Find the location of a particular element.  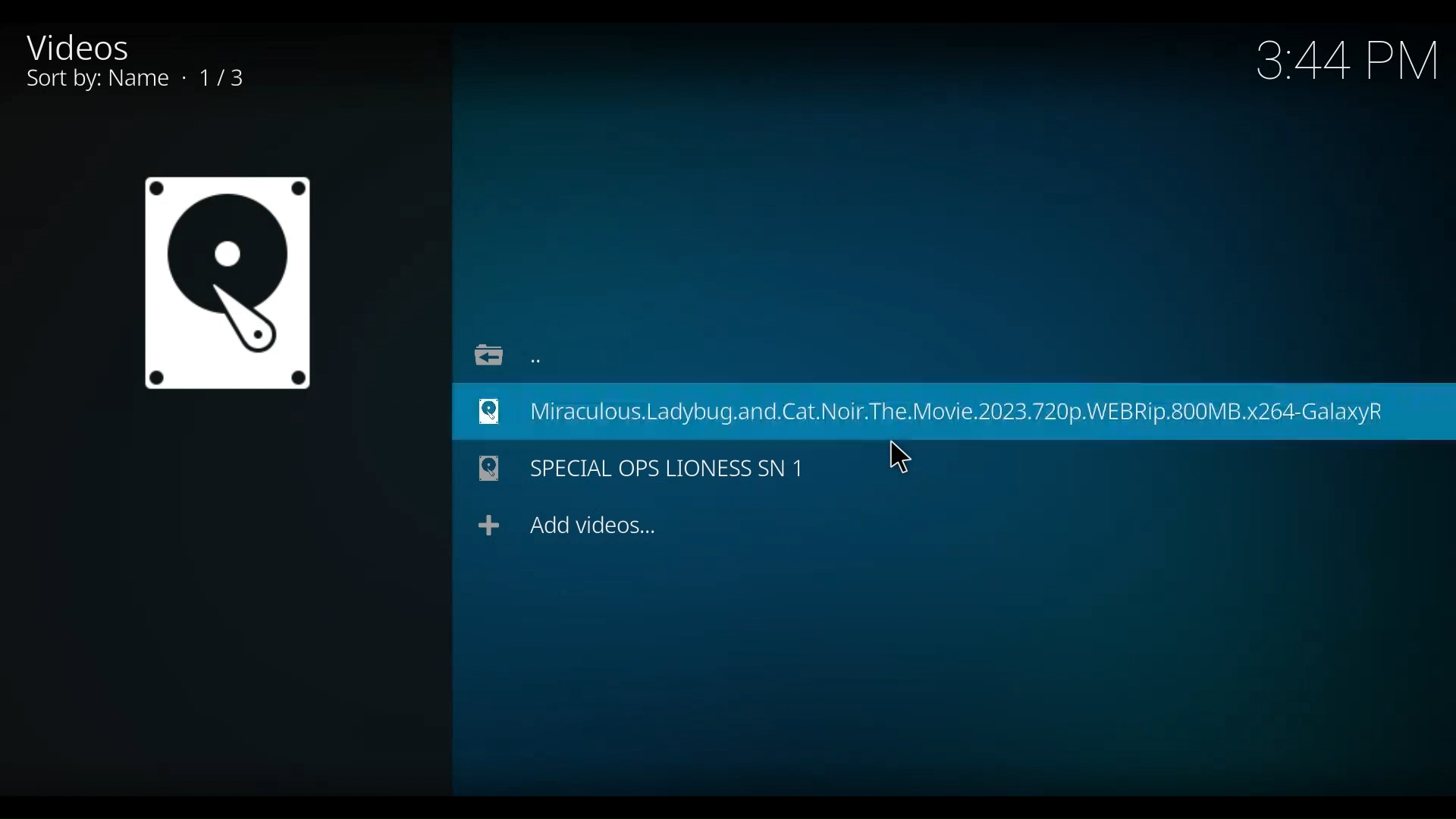

time is located at coordinates (1348, 63).